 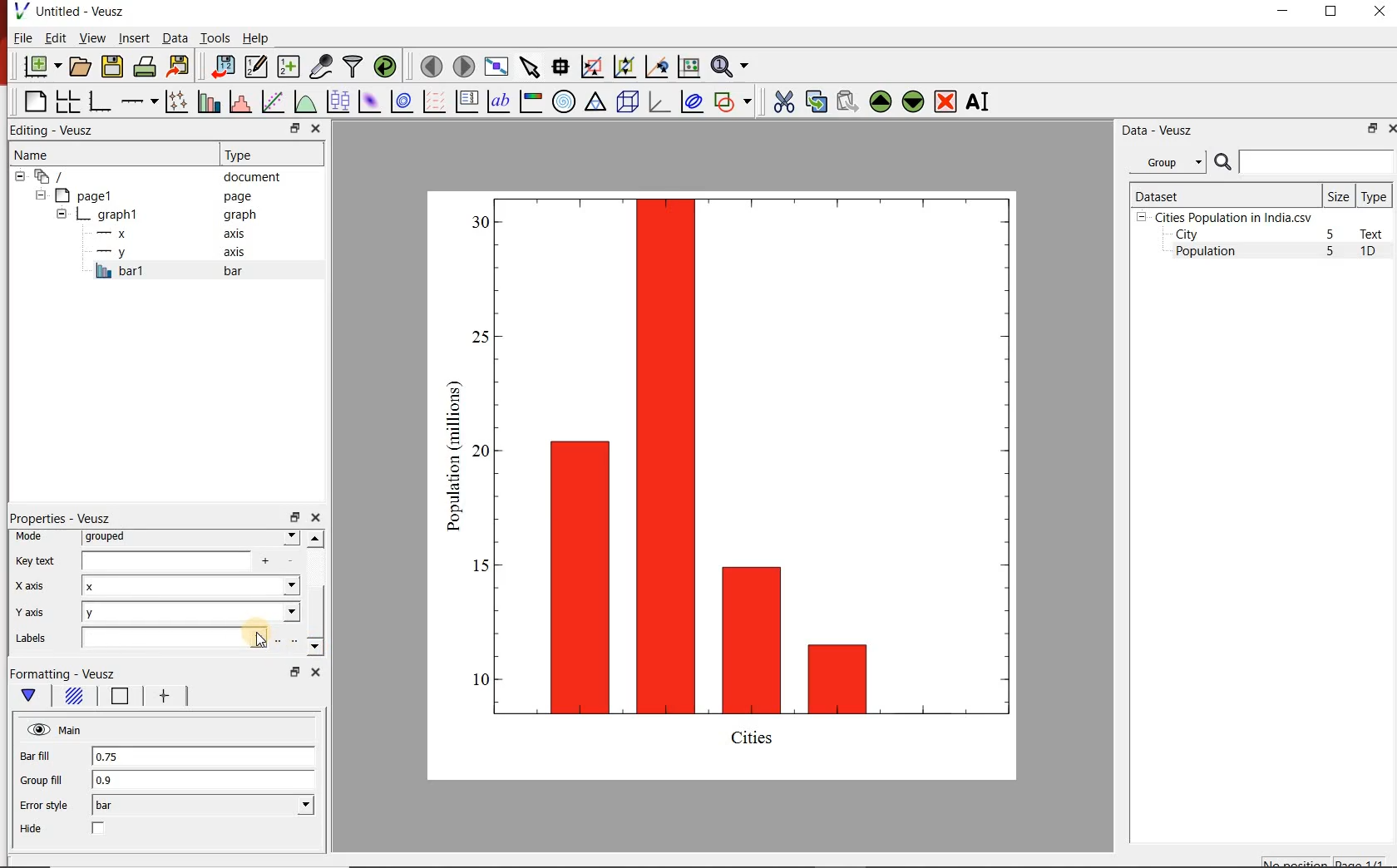 What do you see at coordinates (144, 67) in the screenshot?
I see `print the document` at bounding box center [144, 67].